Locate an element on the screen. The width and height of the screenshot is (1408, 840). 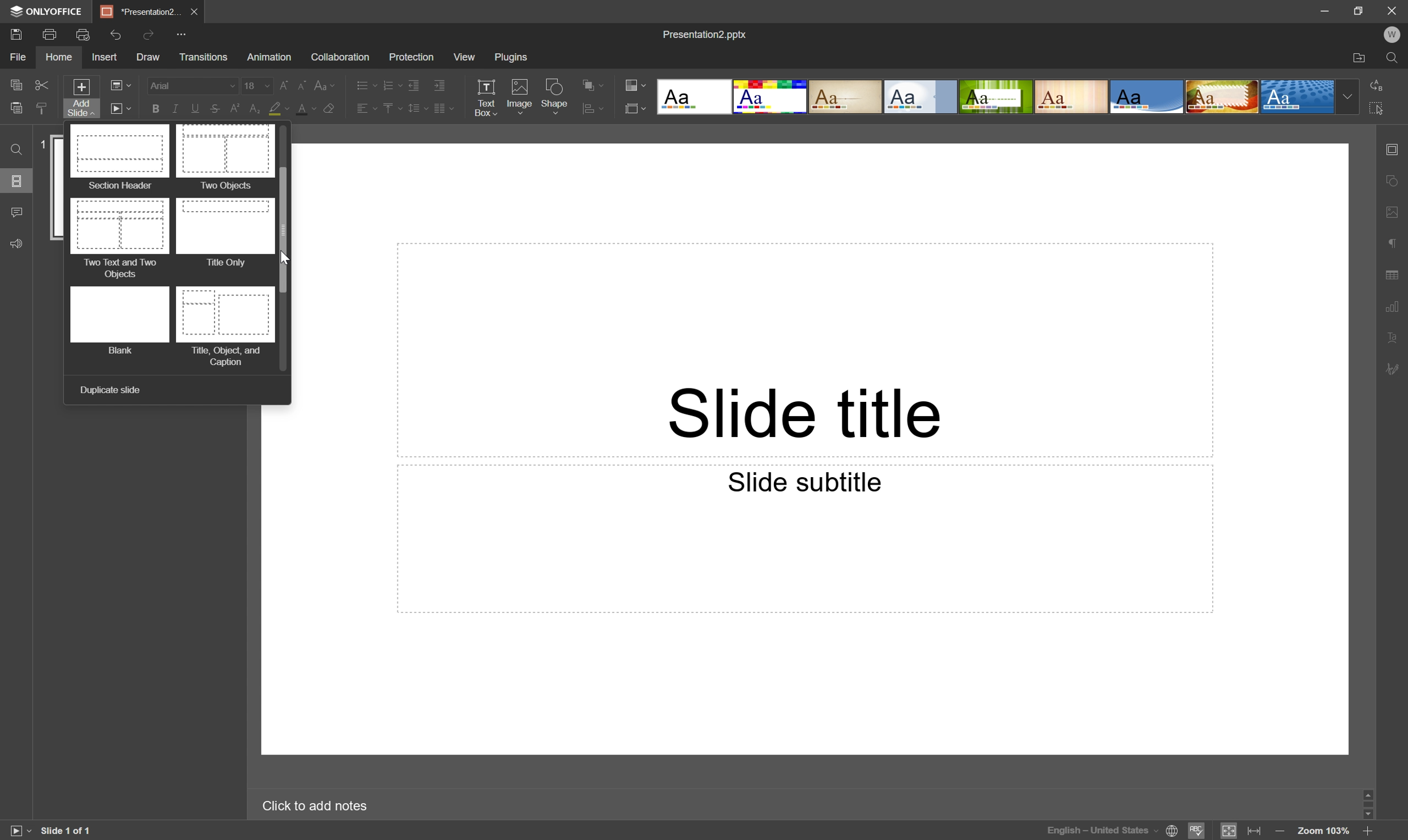
1 is located at coordinates (43, 144).